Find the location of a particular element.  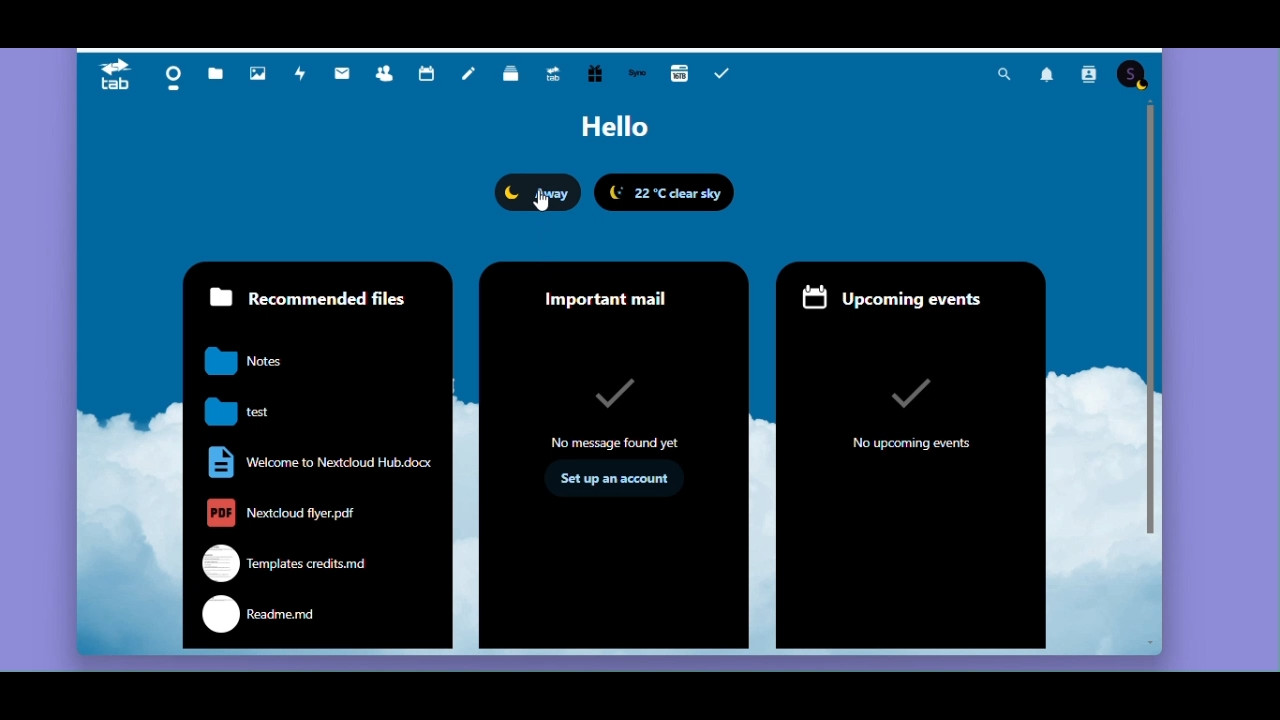

Files is located at coordinates (215, 68).